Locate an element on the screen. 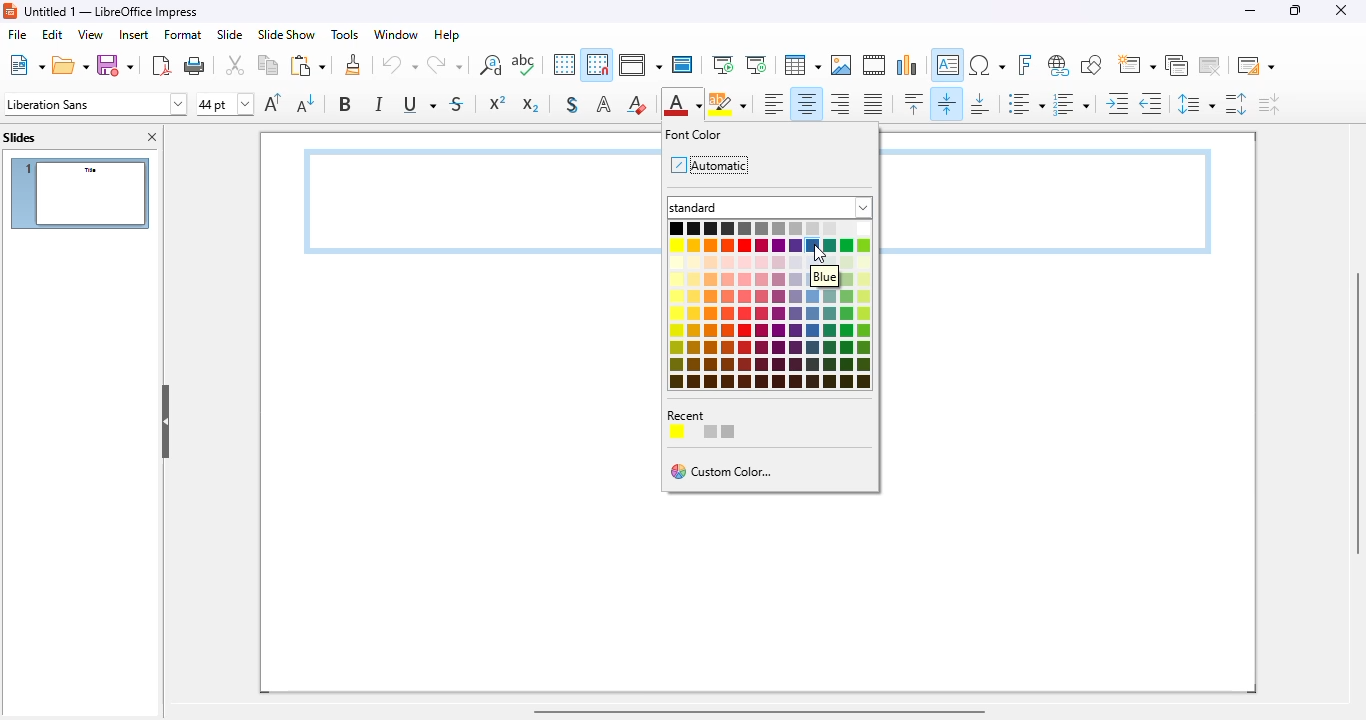  file is located at coordinates (16, 34).